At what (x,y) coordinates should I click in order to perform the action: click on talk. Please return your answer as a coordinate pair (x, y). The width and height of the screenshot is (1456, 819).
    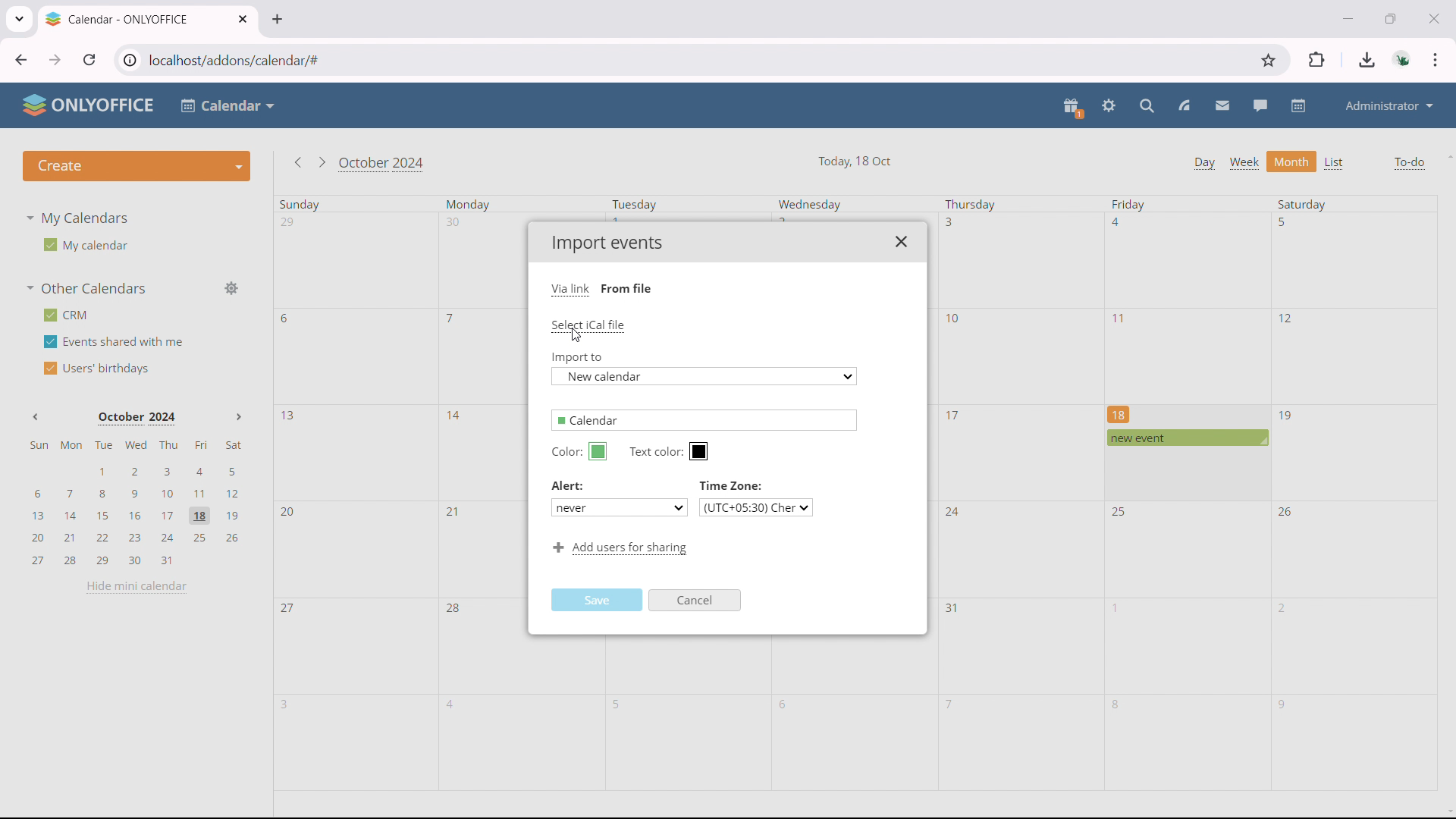
    Looking at the image, I should click on (1260, 105).